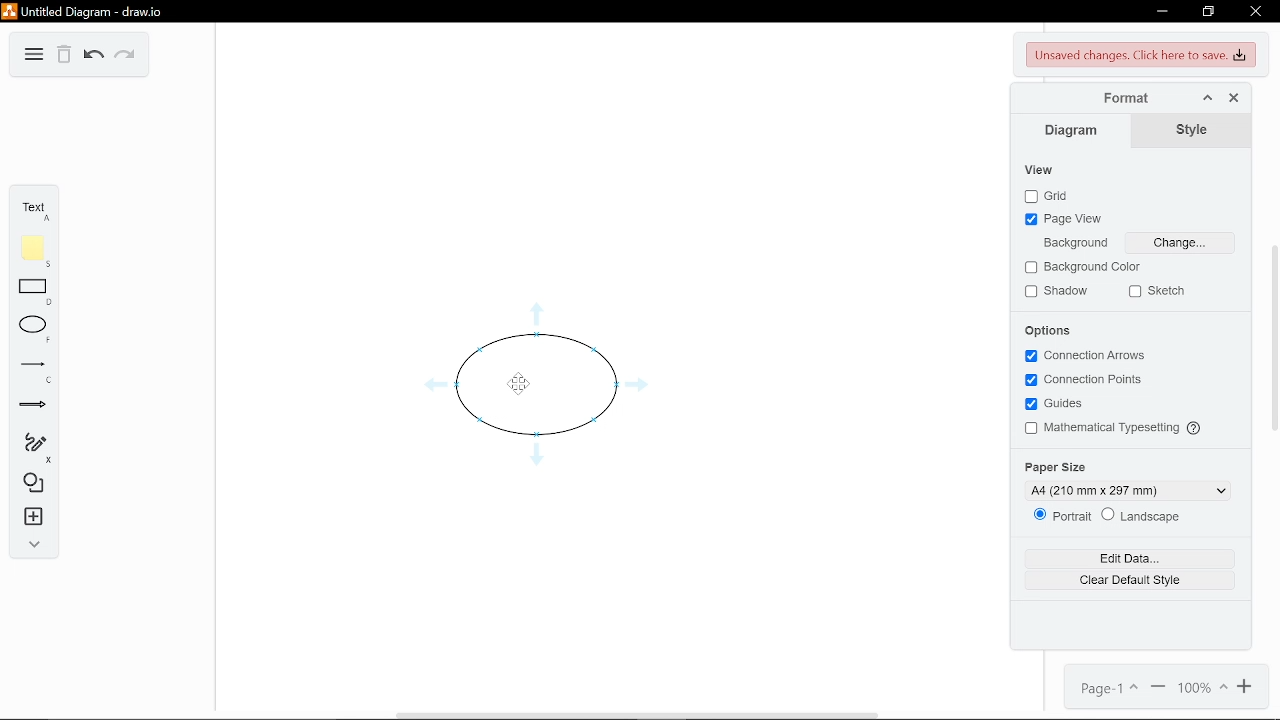  I want to click on Close, so click(1257, 11).